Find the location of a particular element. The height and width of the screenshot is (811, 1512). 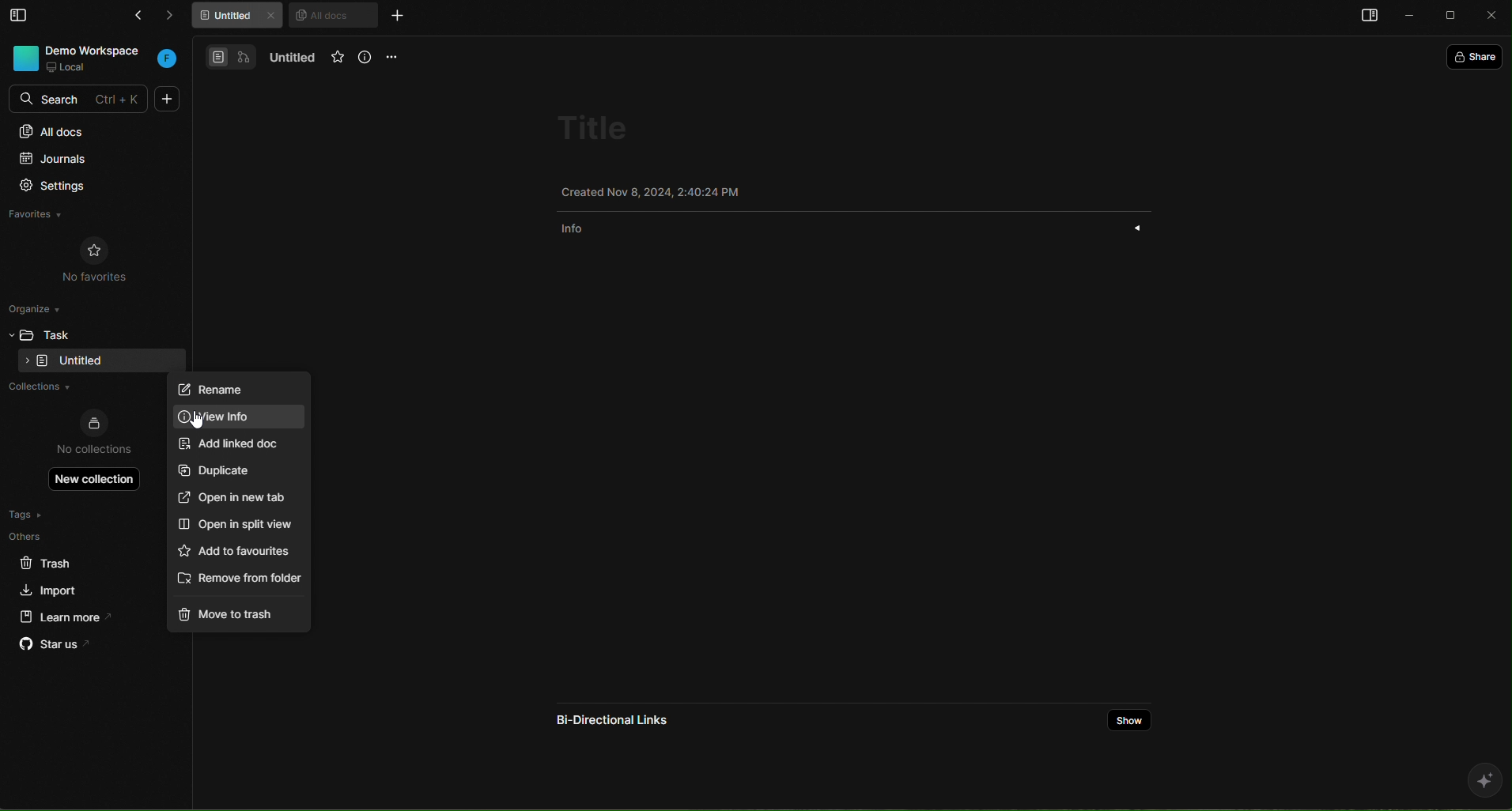

open in new tab is located at coordinates (235, 497).